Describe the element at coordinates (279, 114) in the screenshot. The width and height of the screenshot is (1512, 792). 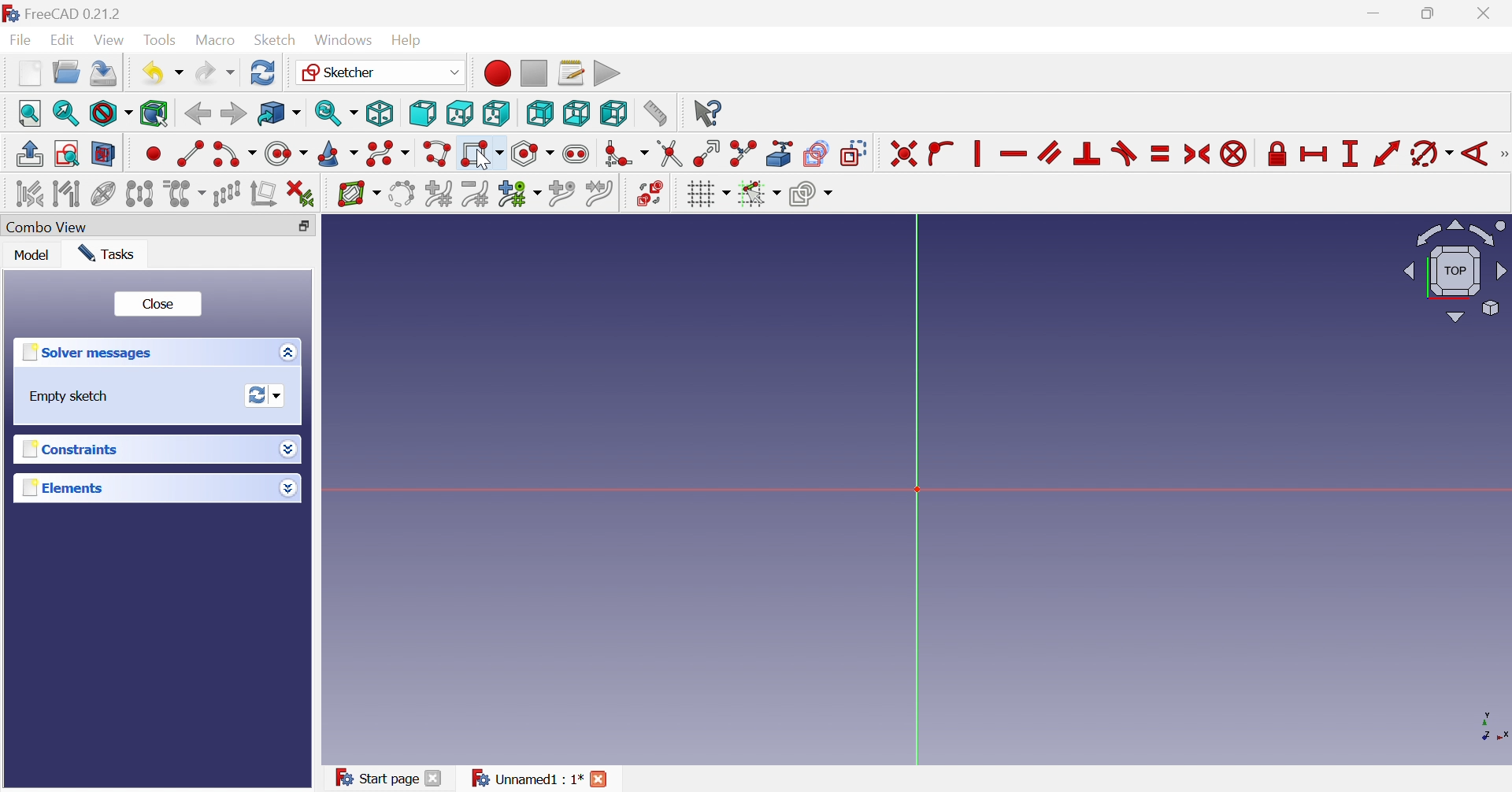
I see `Go to linked object` at that location.